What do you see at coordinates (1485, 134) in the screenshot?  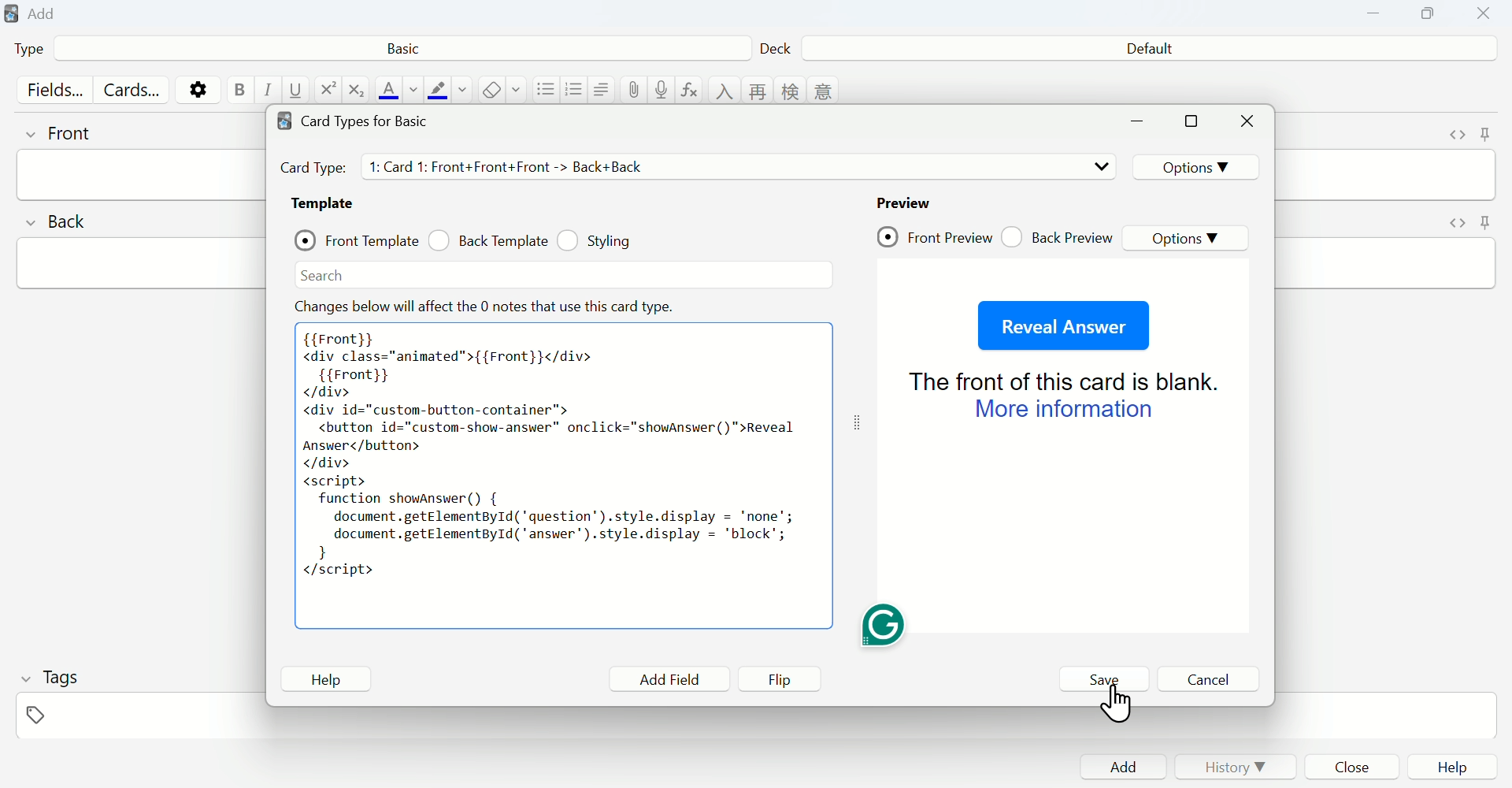 I see `toggle sticky` at bounding box center [1485, 134].